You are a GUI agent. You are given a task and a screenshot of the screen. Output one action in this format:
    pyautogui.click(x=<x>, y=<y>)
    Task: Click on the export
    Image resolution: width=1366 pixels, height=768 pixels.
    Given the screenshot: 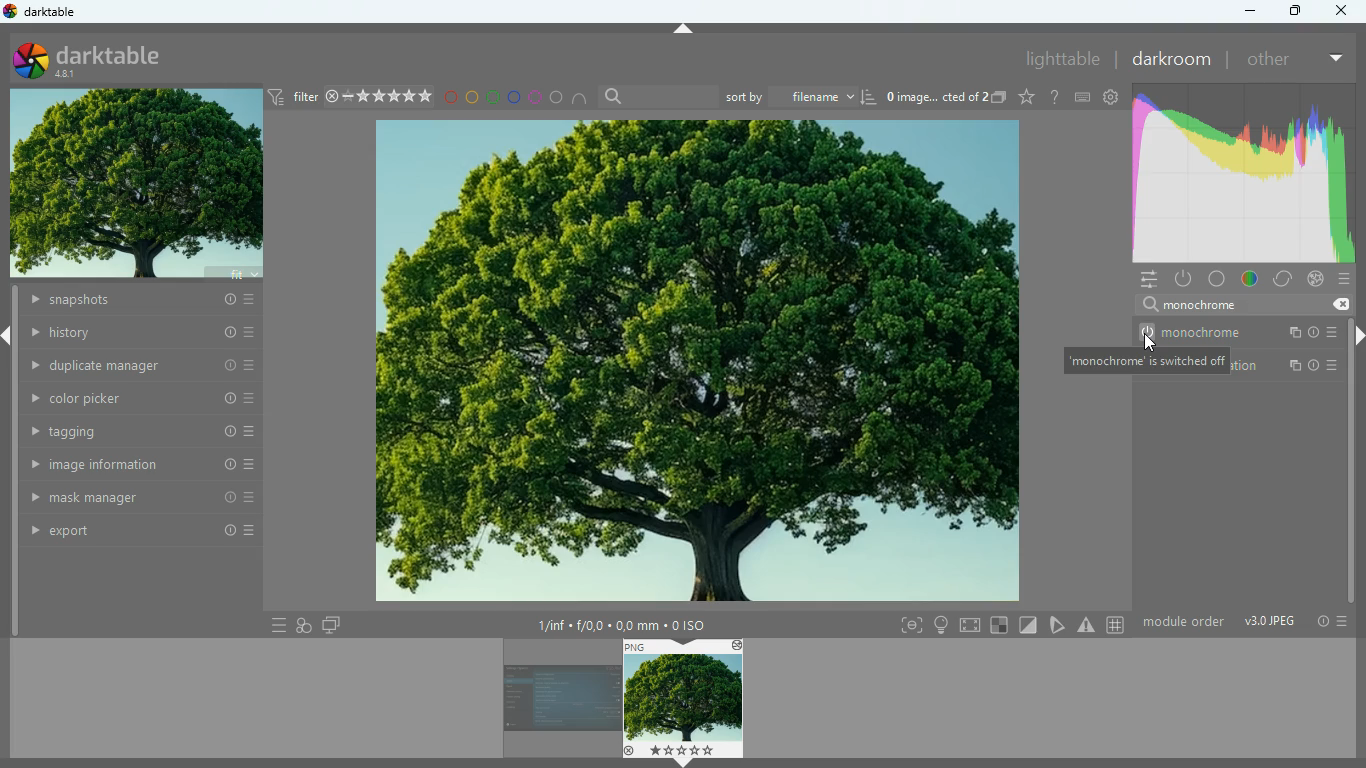 What is the action you would take?
    pyautogui.click(x=142, y=531)
    